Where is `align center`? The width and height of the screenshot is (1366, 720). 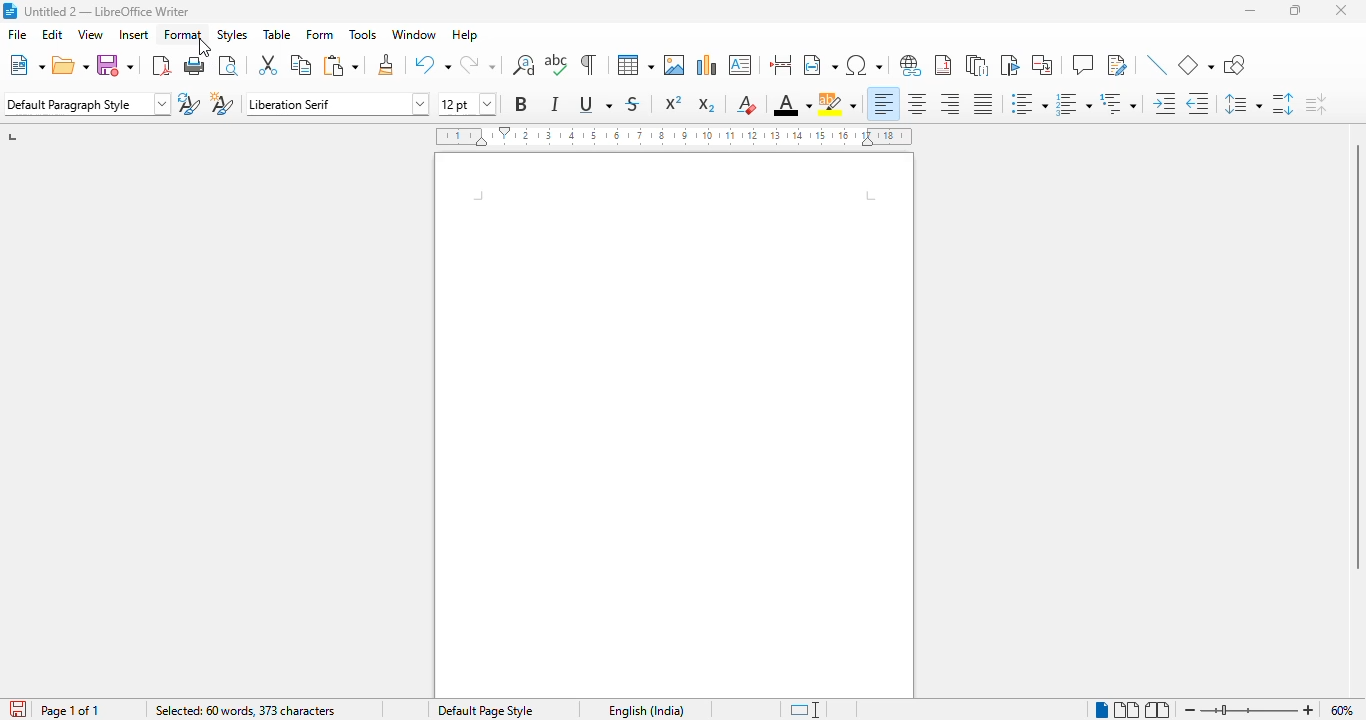
align center is located at coordinates (917, 103).